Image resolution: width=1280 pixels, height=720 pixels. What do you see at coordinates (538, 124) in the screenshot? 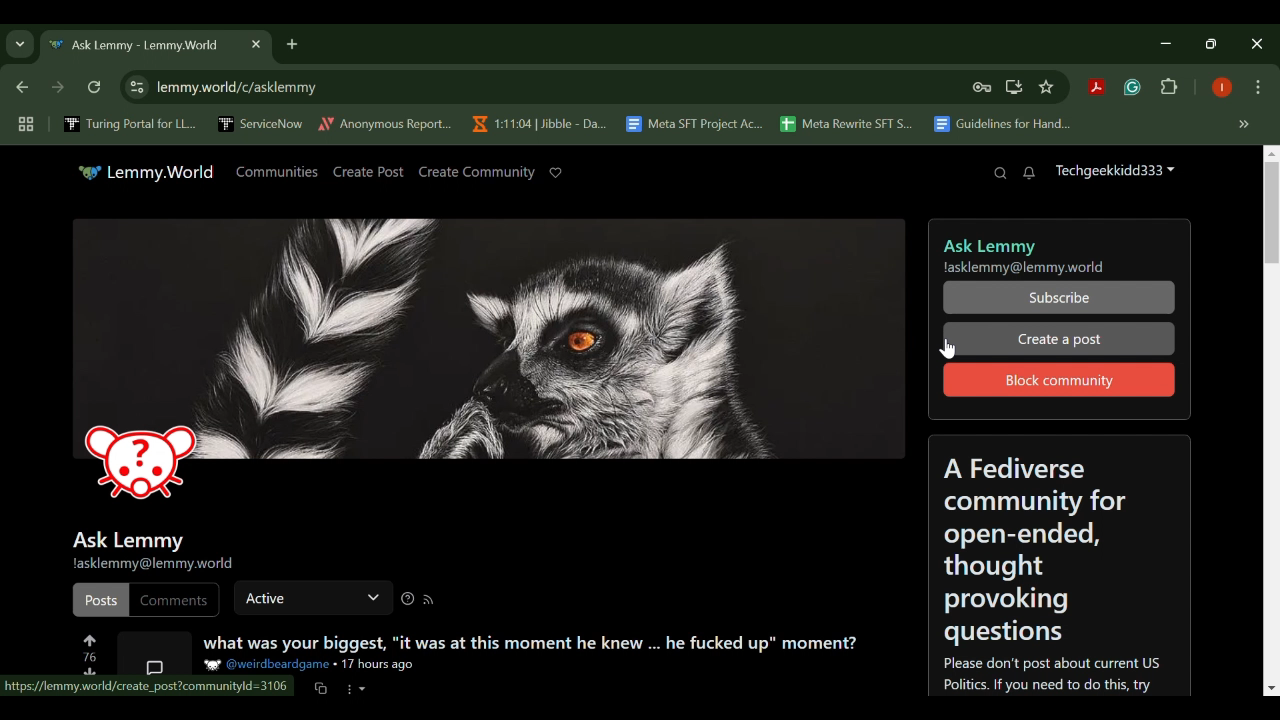
I see `1:11:04 | Jibble - Da...` at bounding box center [538, 124].